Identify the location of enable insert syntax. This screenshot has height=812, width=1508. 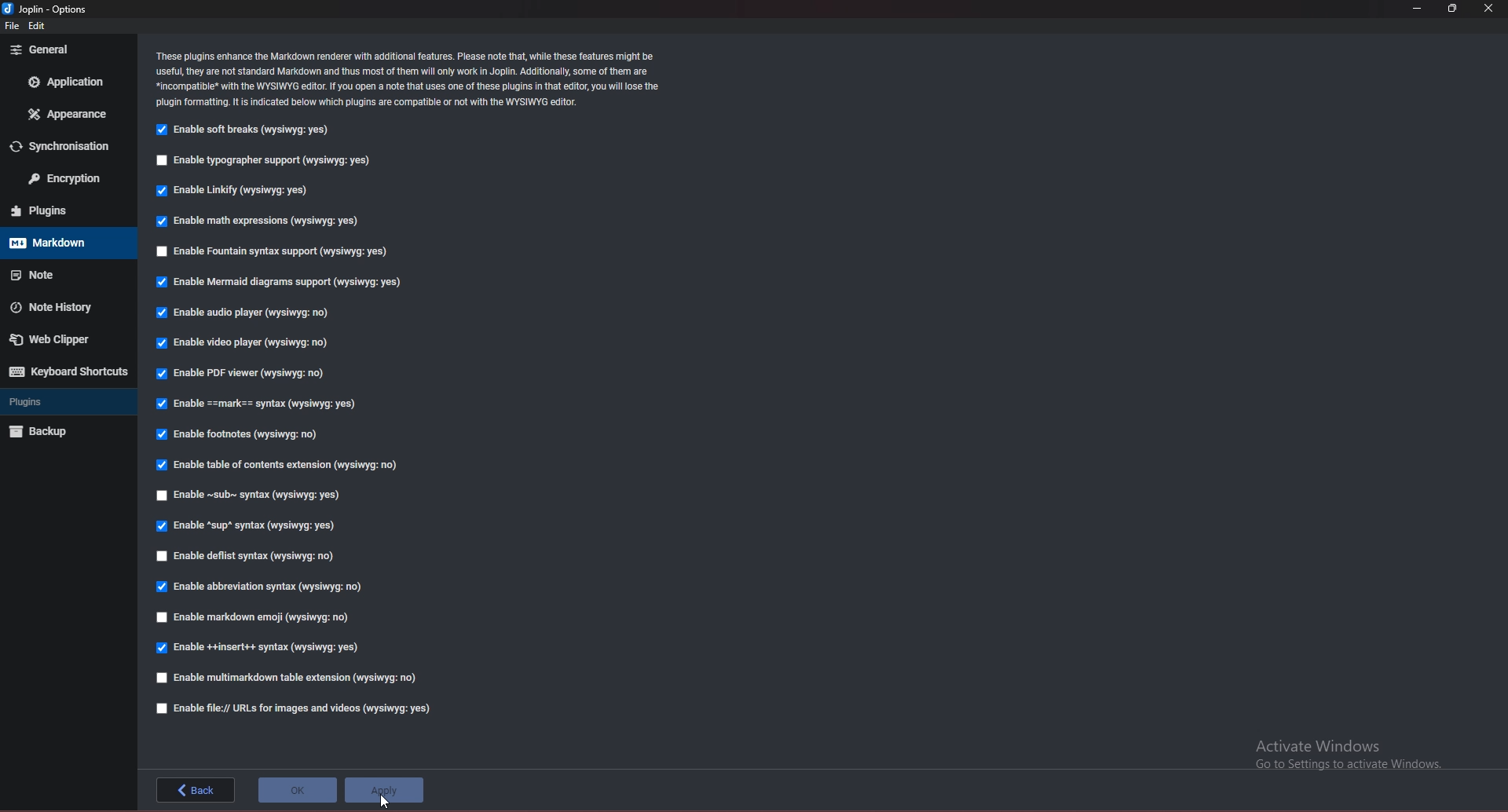
(260, 648).